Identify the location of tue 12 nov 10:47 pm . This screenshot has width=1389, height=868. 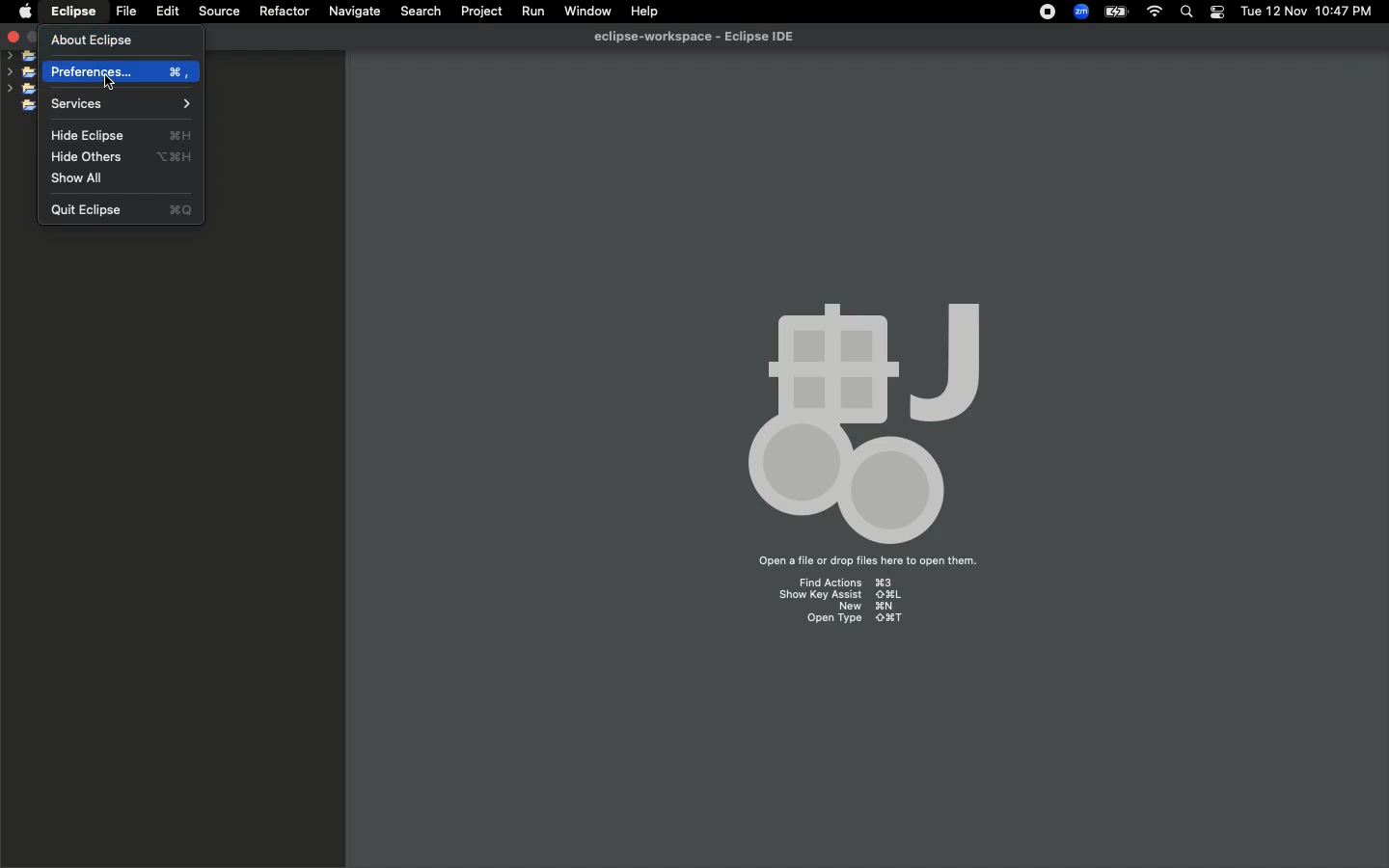
(1305, 10).